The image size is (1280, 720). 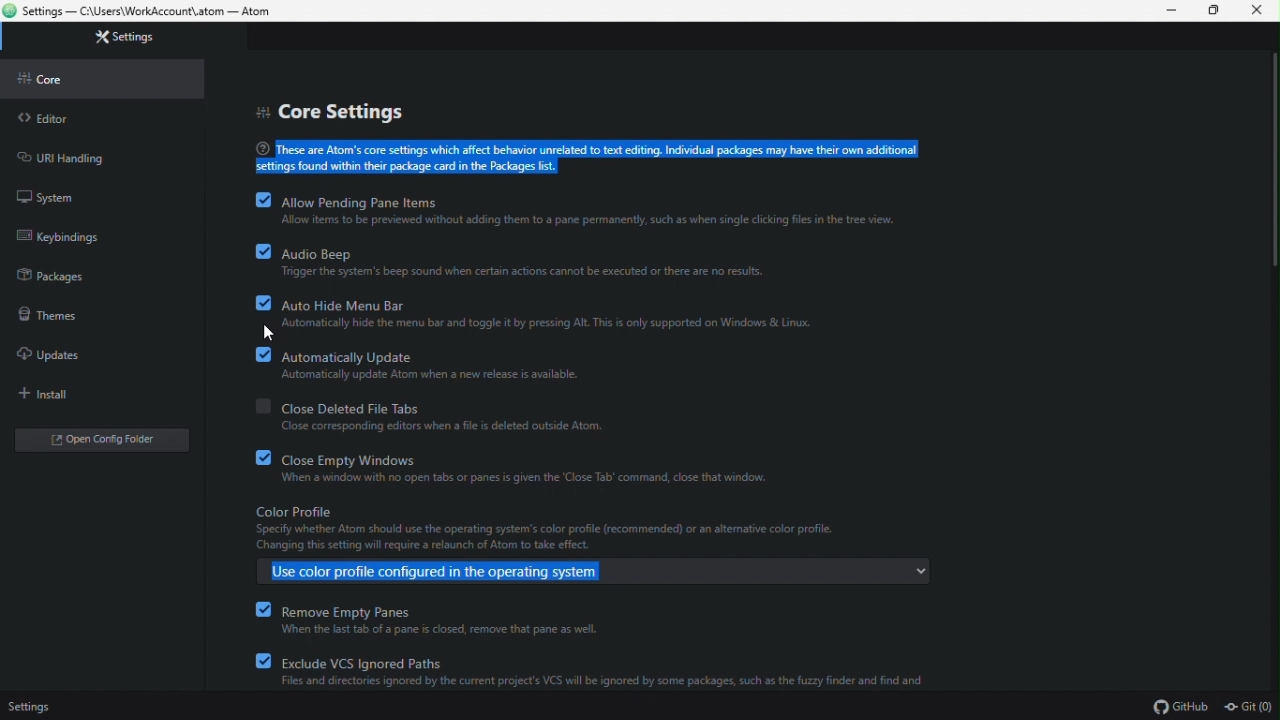 I want to click on Allow Pending Pane Items
Allow tems to be previewed without adding them to a pane permanently, such as when single clicking files in the tree view., so click(x=623, y=210).